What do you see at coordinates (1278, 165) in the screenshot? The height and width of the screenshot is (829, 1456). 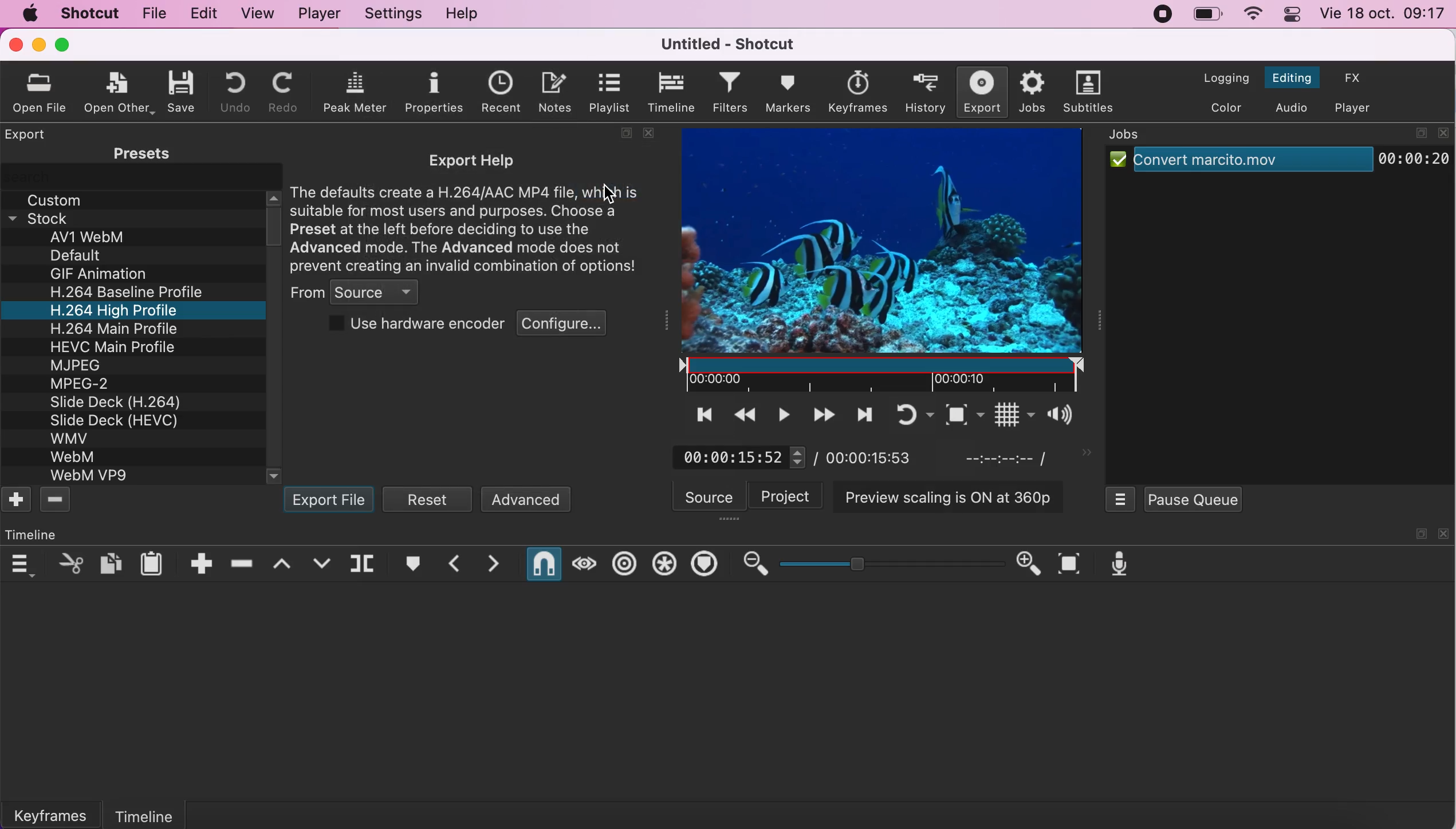 I see `job clip` at bounding box center [1278, 165].